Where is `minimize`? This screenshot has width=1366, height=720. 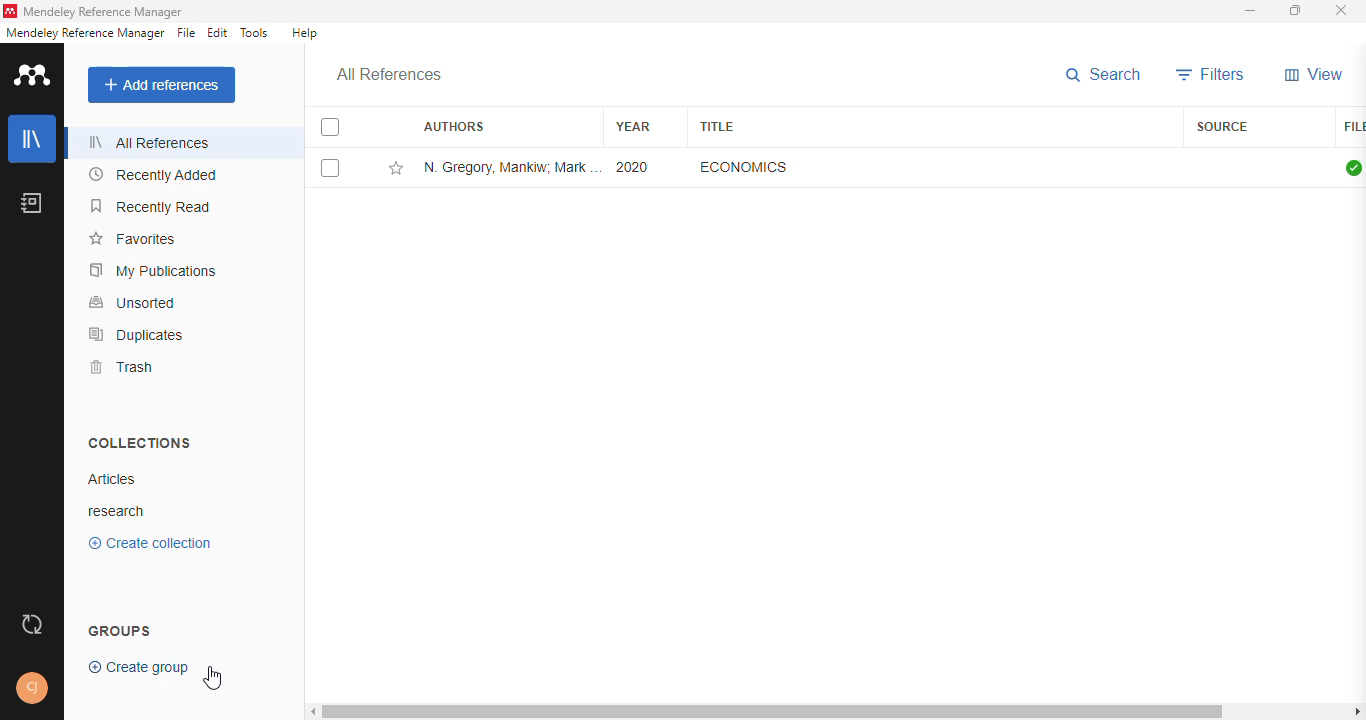
minimize is located at coordinates (1251, 11).